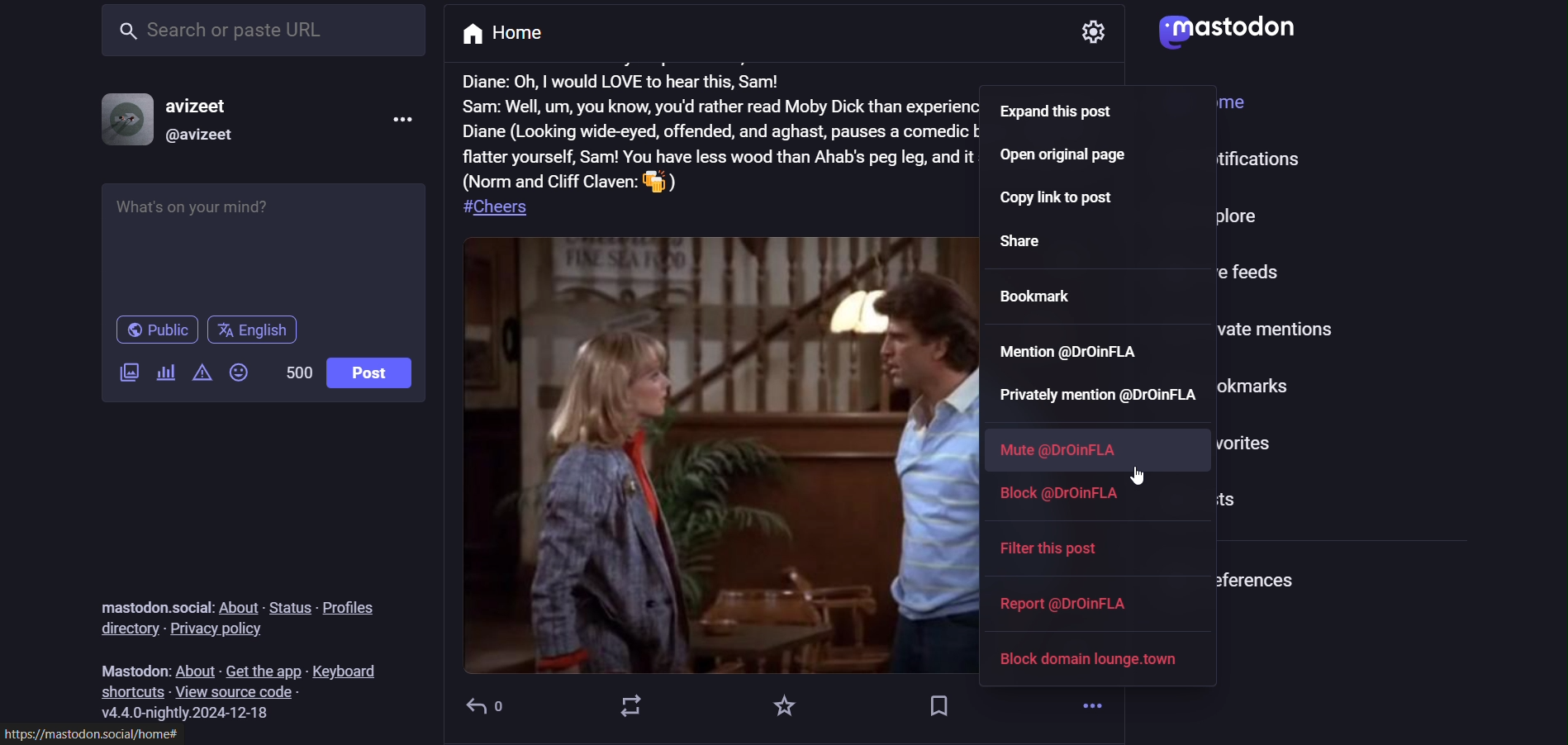  What do you see at coordinates (192, 711) in the screenshot?
I see `version` at bounding box center [192, 711].